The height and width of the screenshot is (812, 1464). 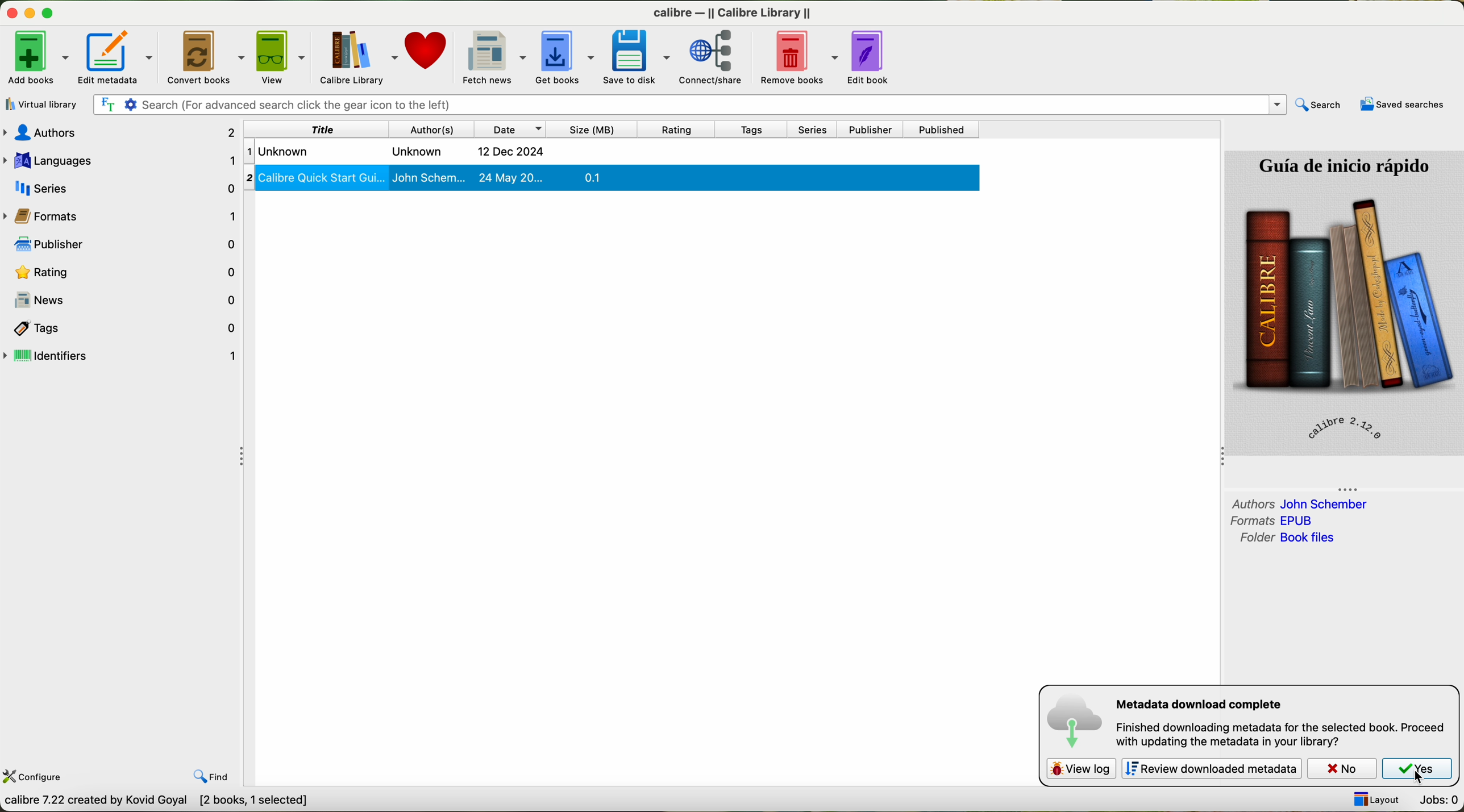 I want to click on click on add books, so click(x=38, y=56).